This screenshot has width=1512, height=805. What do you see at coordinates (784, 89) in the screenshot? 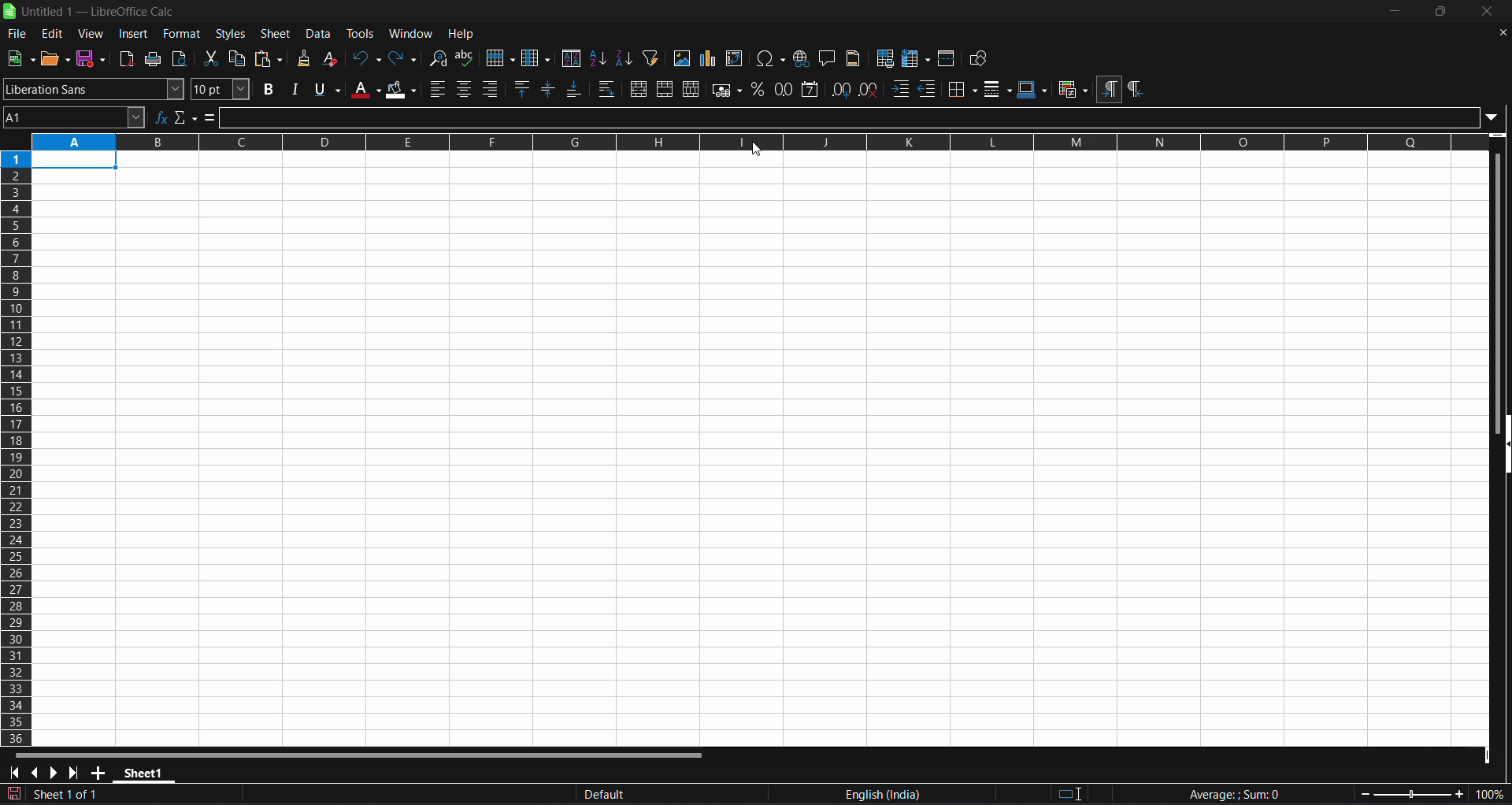
I see `format as number` at bounding box center [784, 89].